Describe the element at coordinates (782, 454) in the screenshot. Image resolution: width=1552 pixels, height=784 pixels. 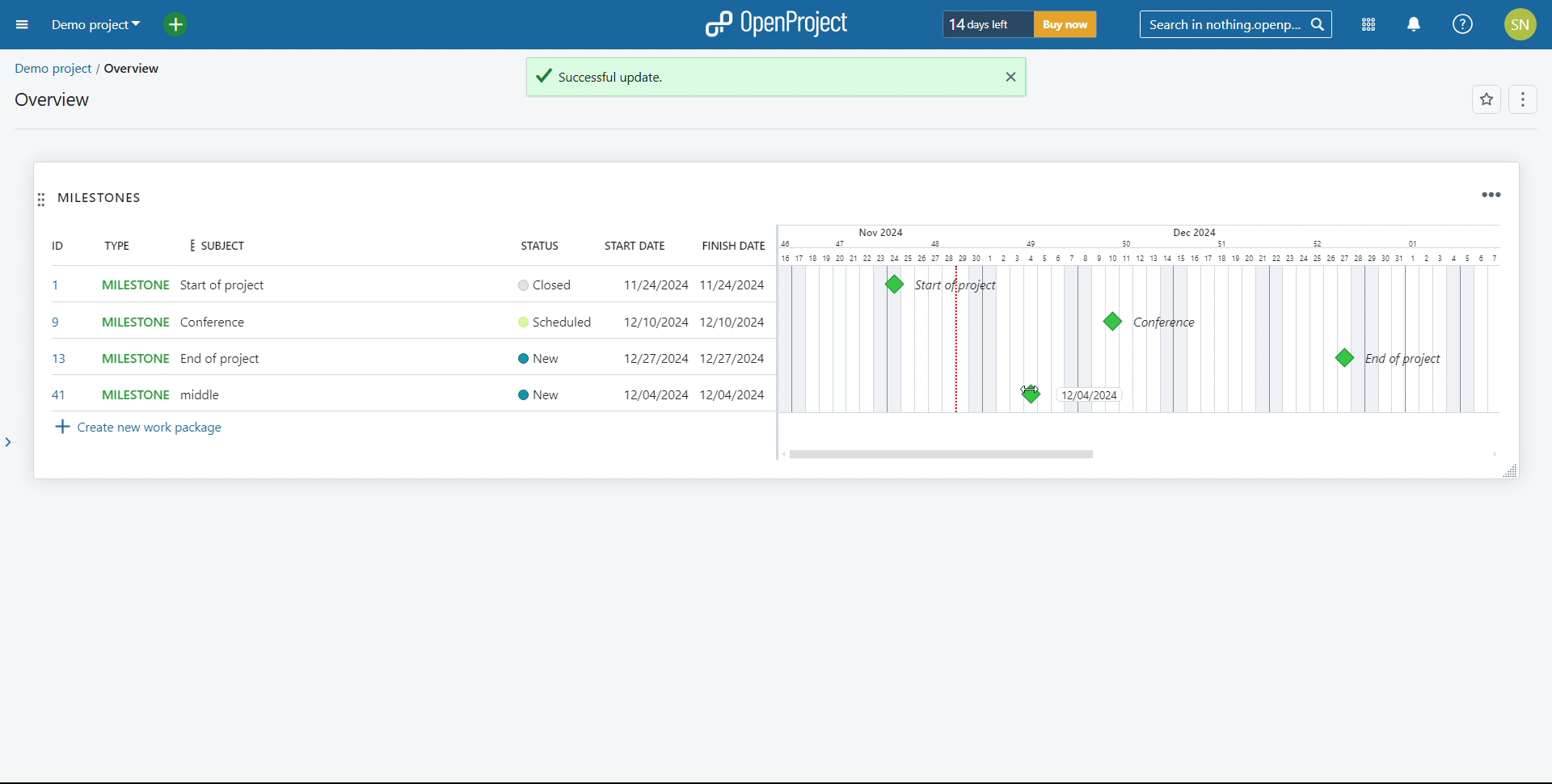
I see `scroll left` at that location.